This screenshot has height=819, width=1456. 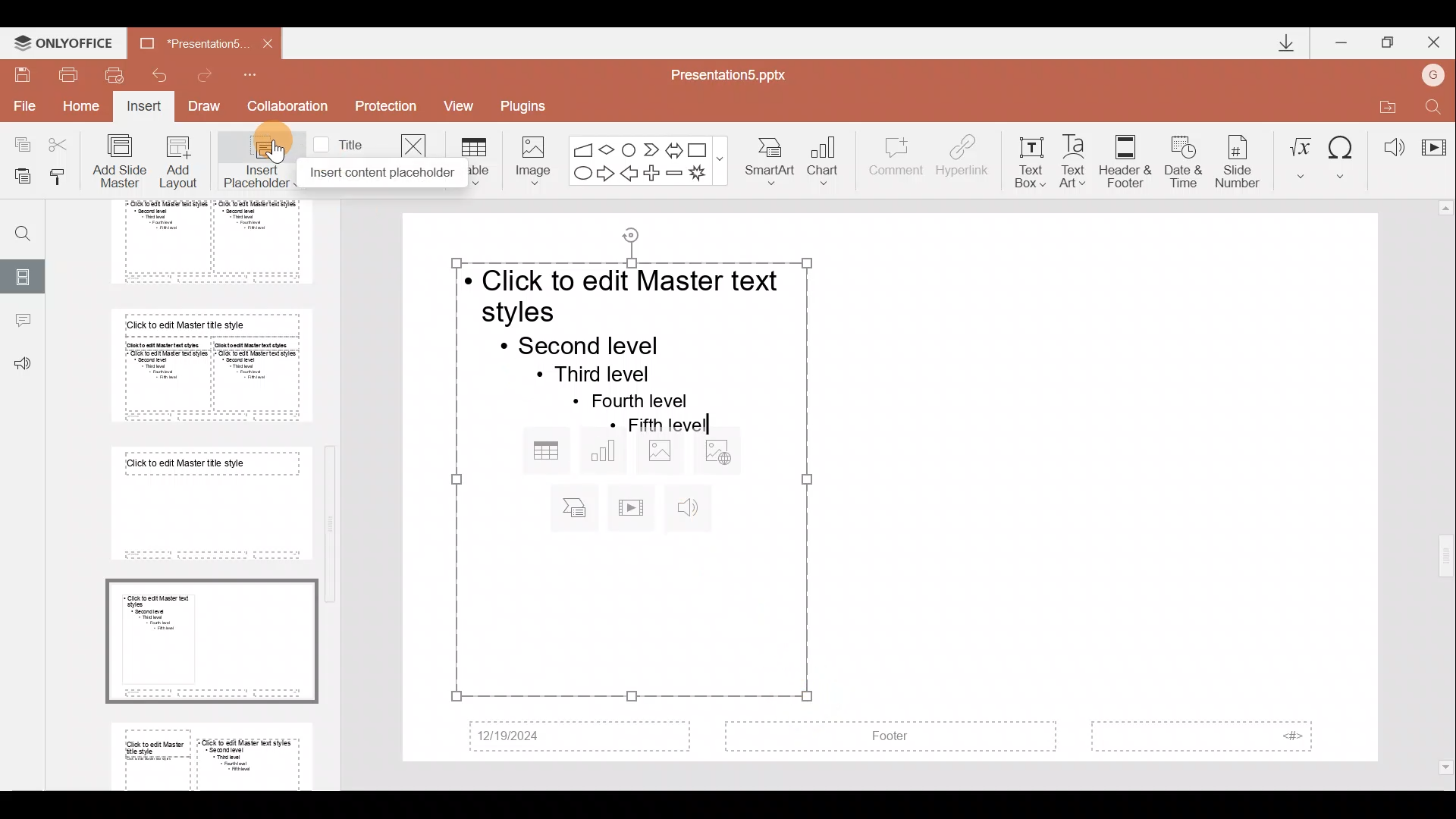 I want to click on Slide 7, so click(x=206, y=503).